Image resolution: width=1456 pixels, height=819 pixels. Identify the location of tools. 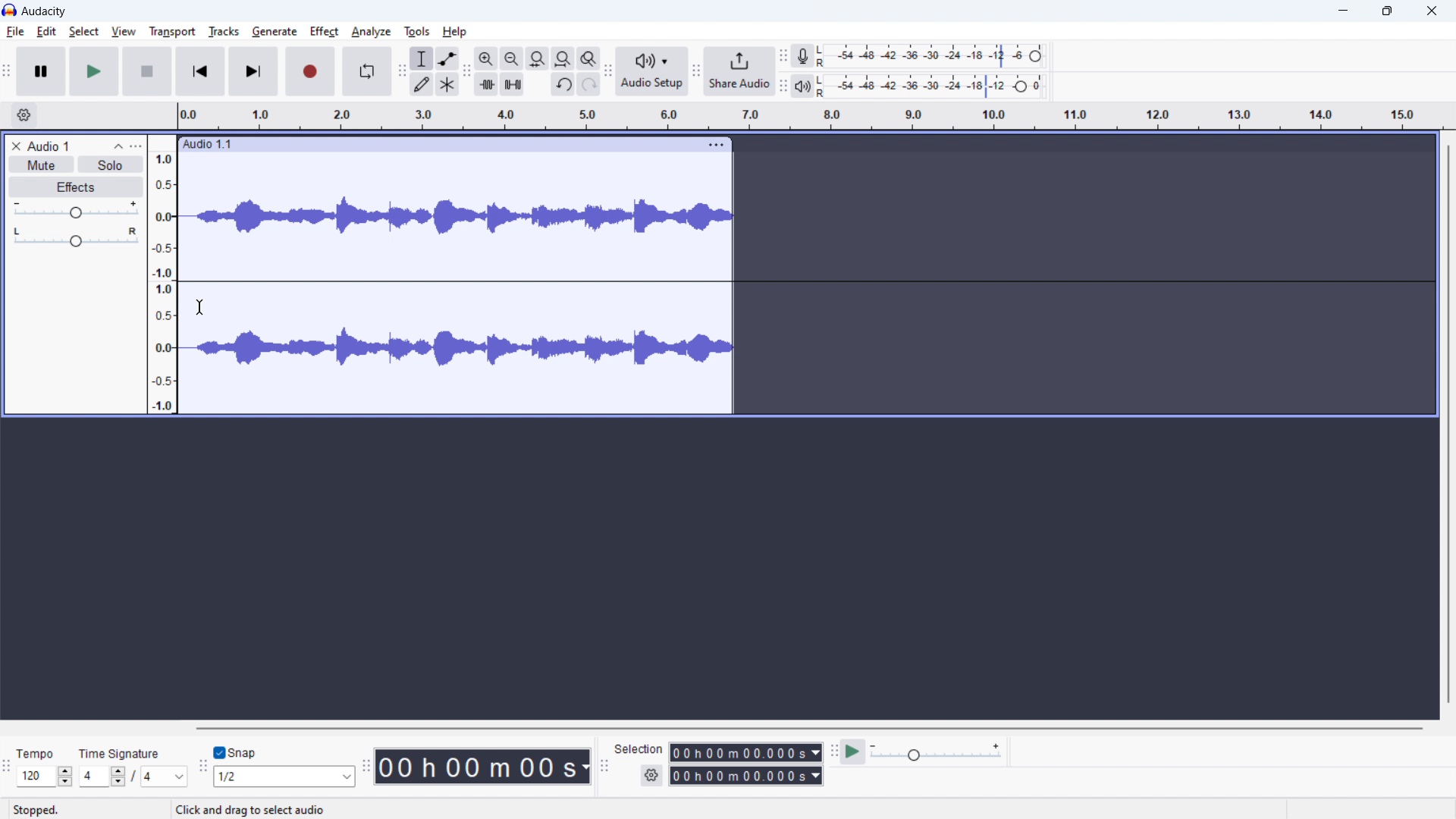
(417, 31).